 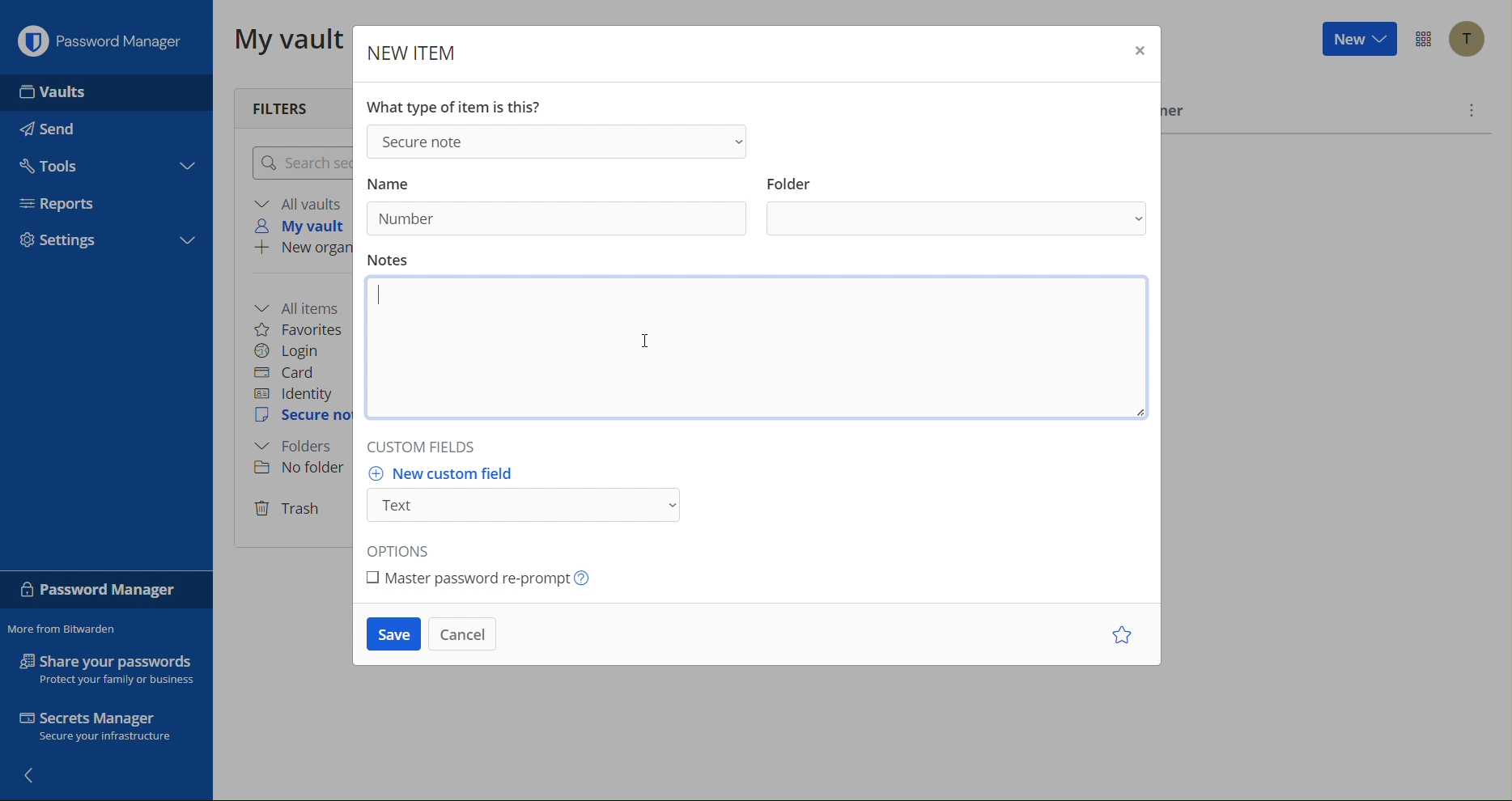 What do you see at coordinates (302, 249) in the screenshot?
I see `New organization` at bounding box center [302, 249].